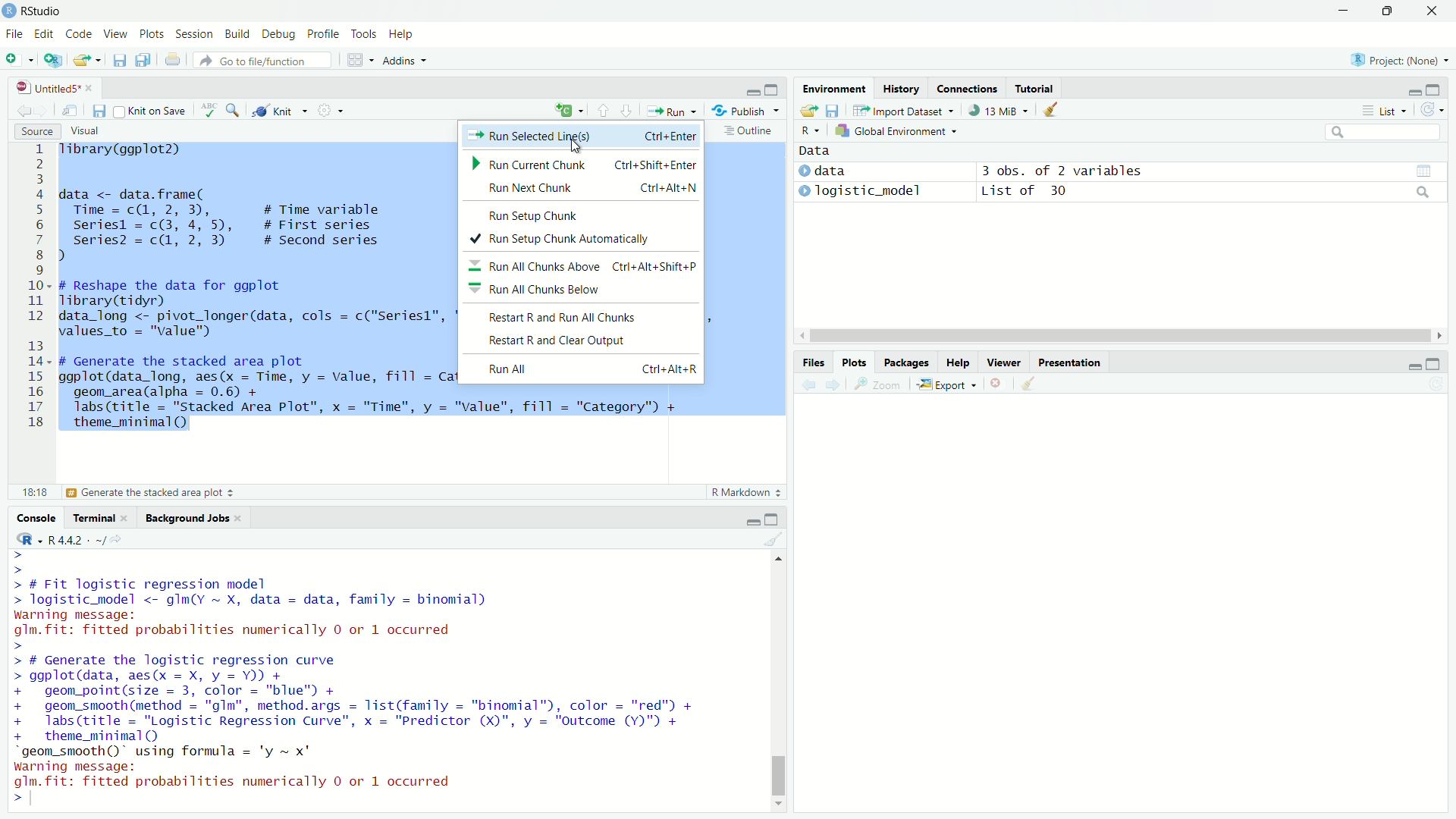 The width and height of the screenshot is (1456, 819). Describe the element at coordinates (33, 491) in the screenshot. I see `6:42` at that location.